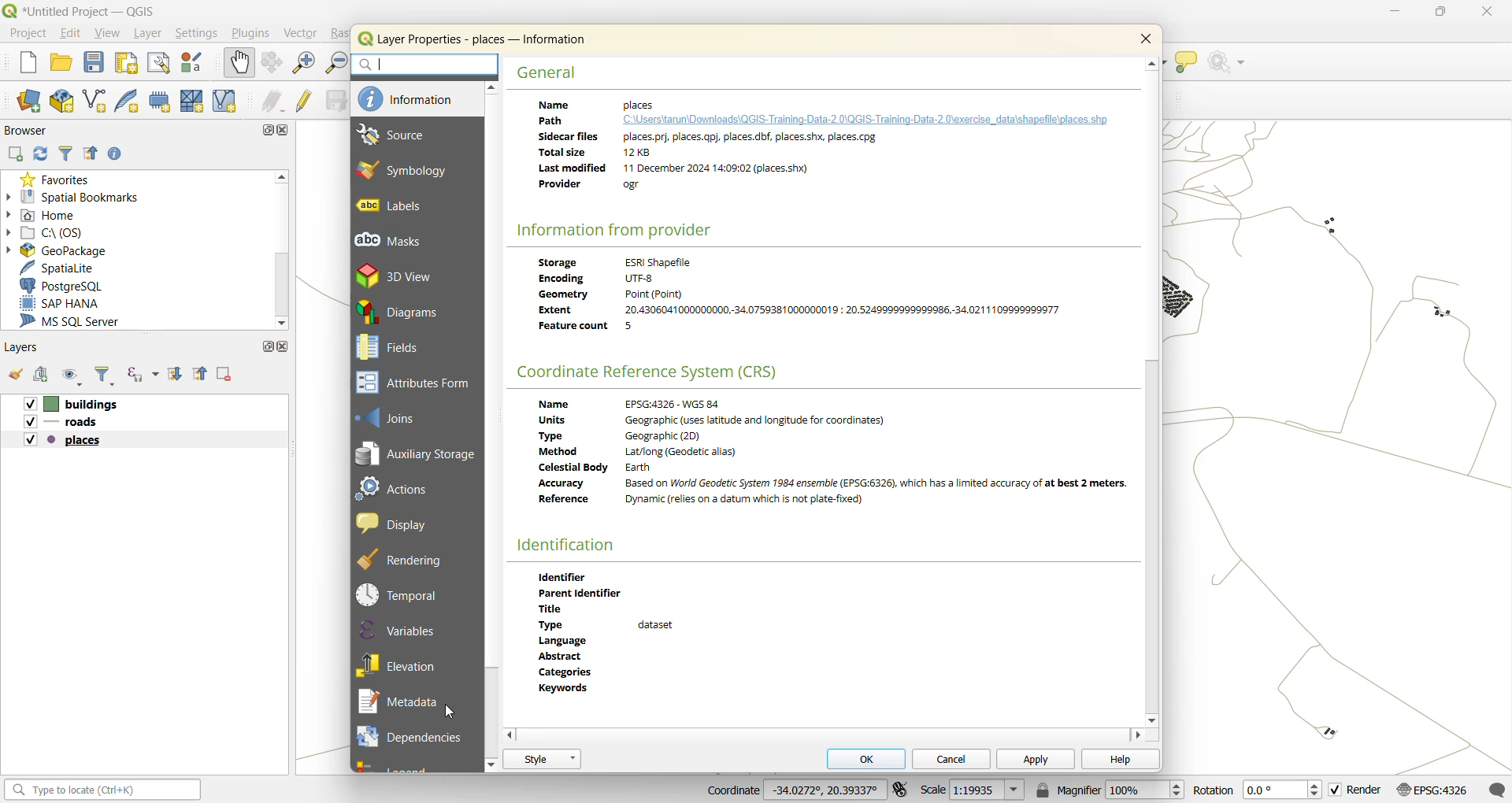 This screenshot has height=803, width=1512. Describe the element at coordinates (406, 172) in the screenshot. I see `symbology` at that location.